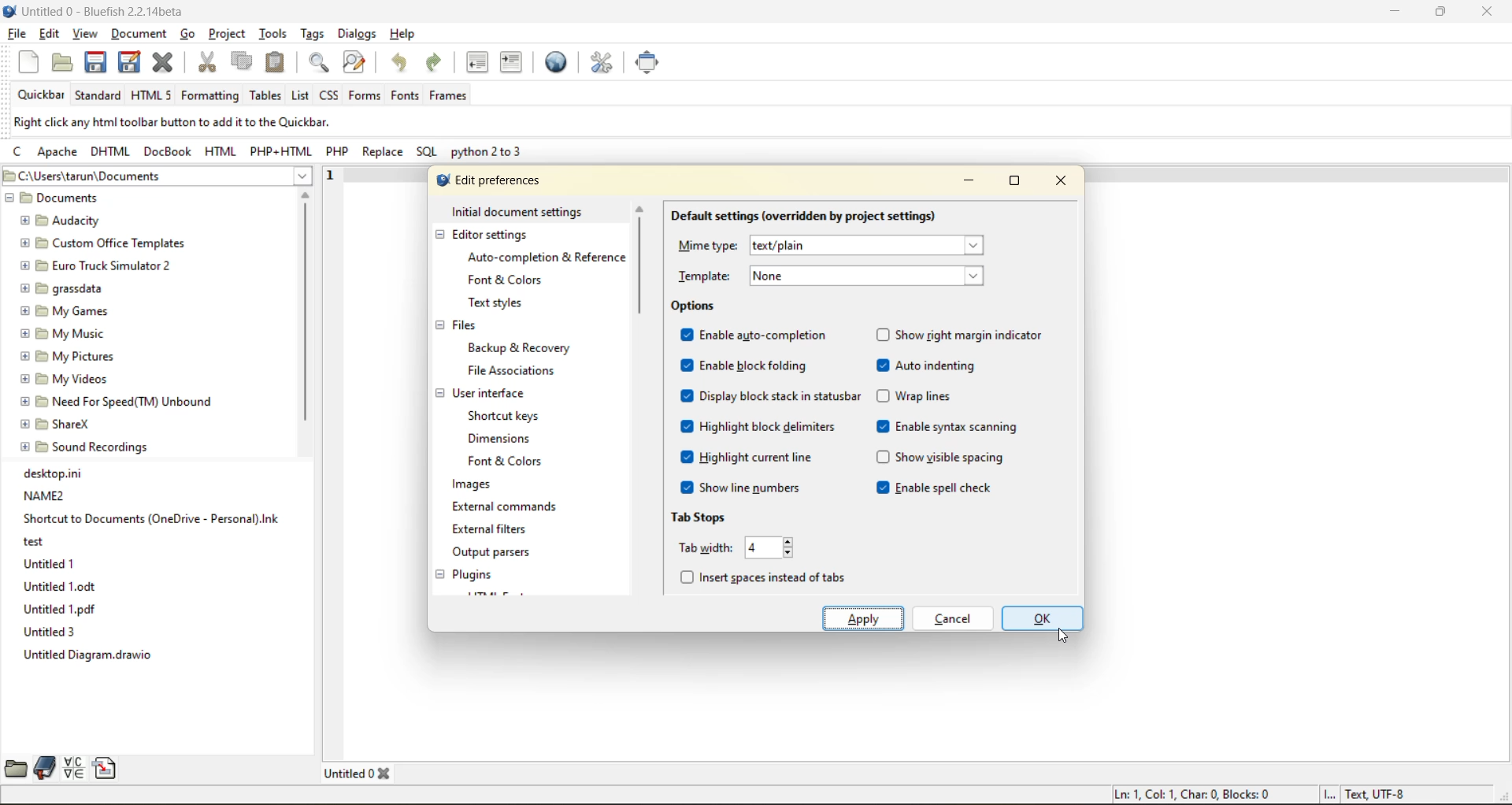 The width and height of the screenshot is (1512, 805). What do you see at coordinates (502, 554) in the screenshot?
I see `output parsers` at bounding box center [502, 554].